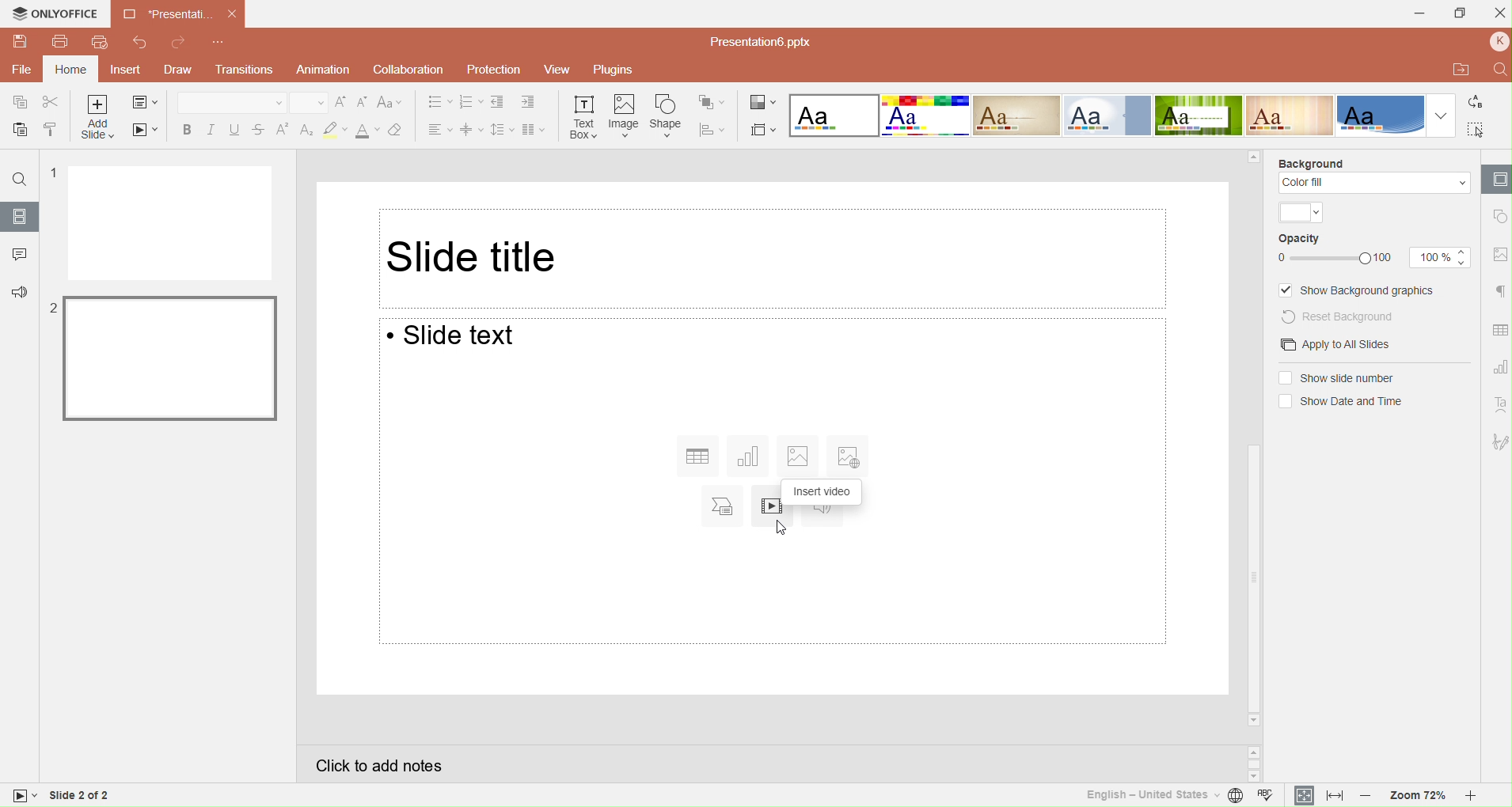  Describe the element at coordinates (1252, 760) in the screenshot. I see `Scroll buttons` at that location.